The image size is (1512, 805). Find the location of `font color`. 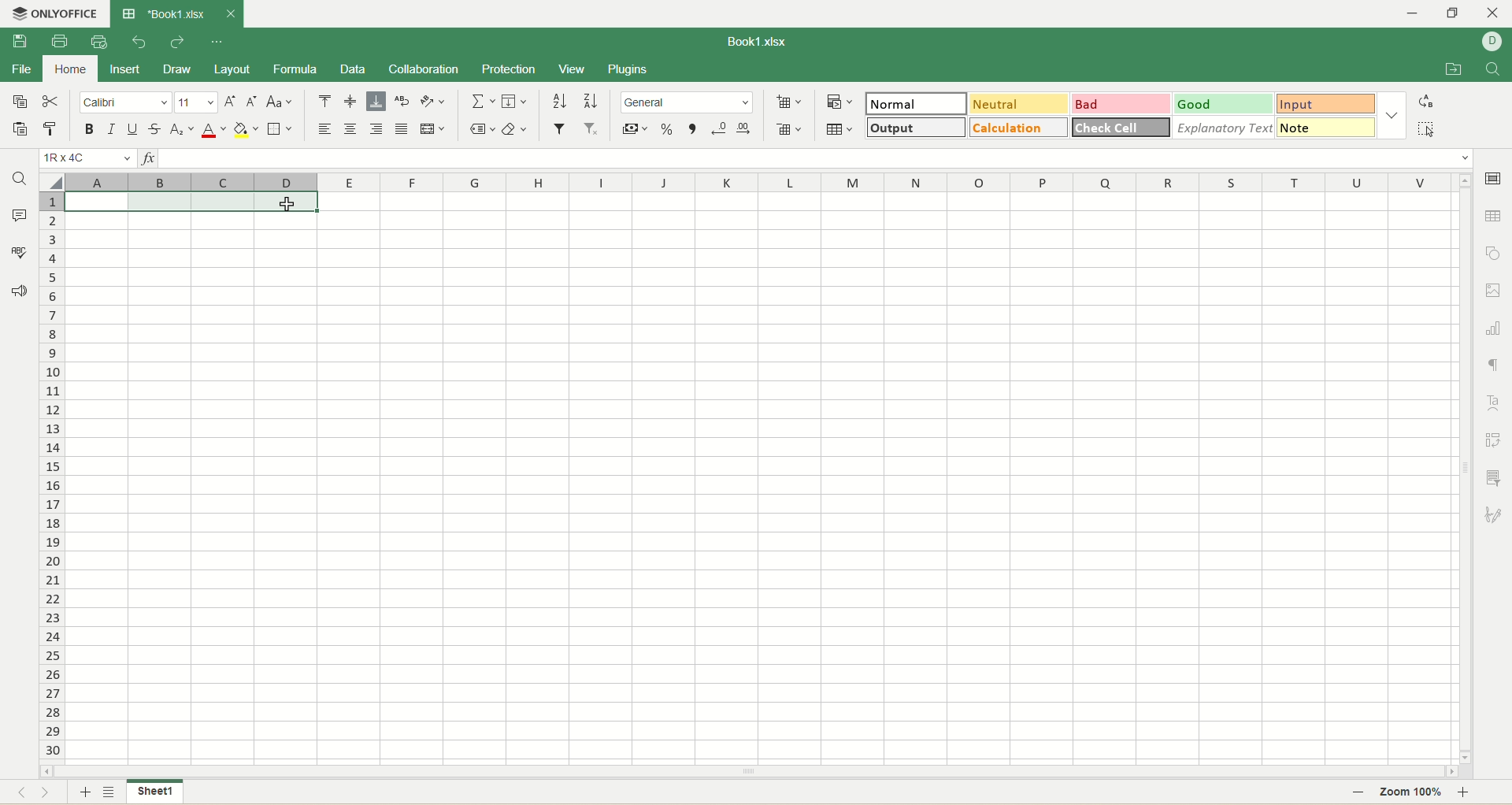

font color is located at coordinates (213, 131).